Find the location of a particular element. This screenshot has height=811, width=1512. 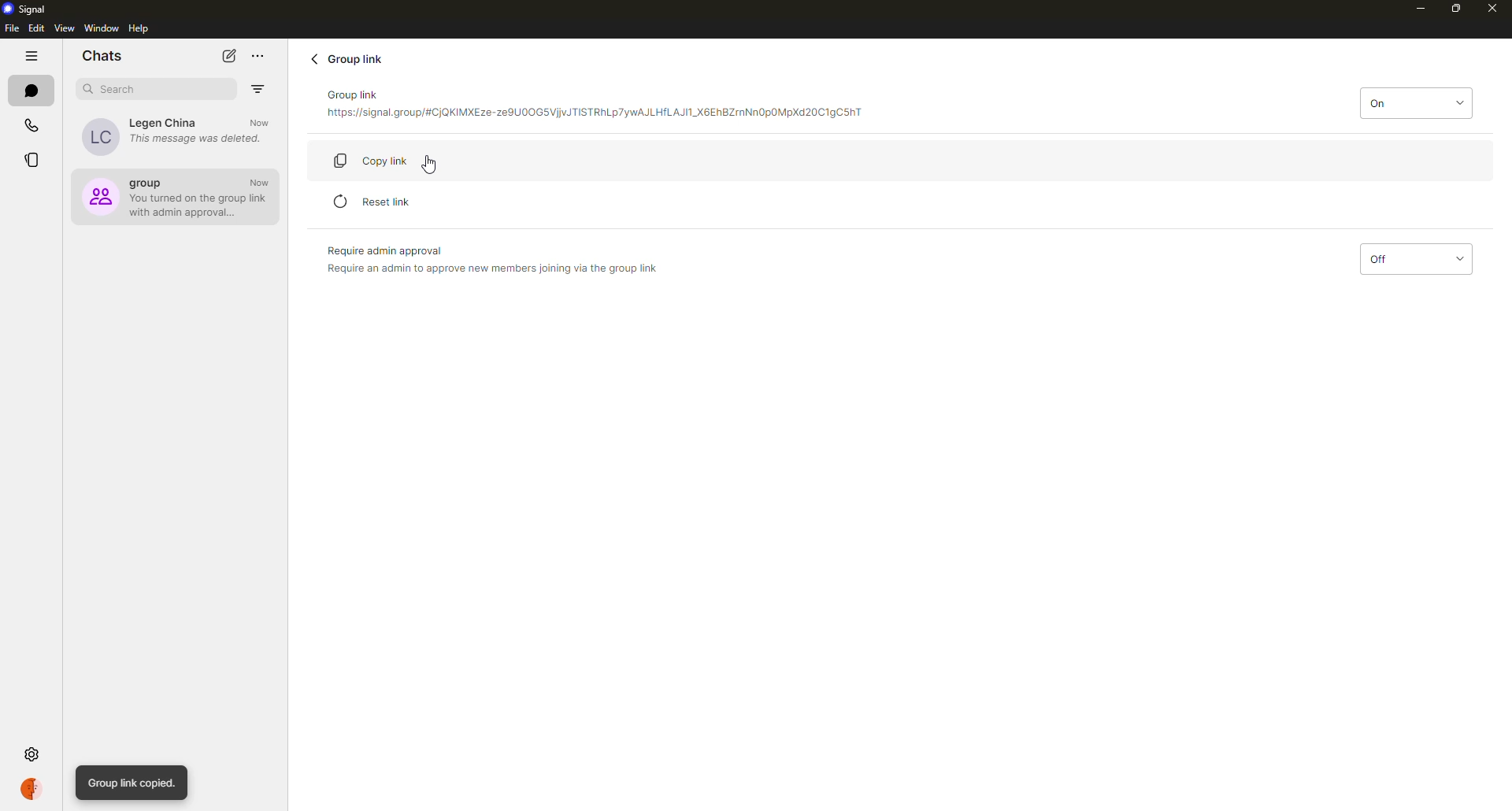

calls is located at coordinates (33, 126).